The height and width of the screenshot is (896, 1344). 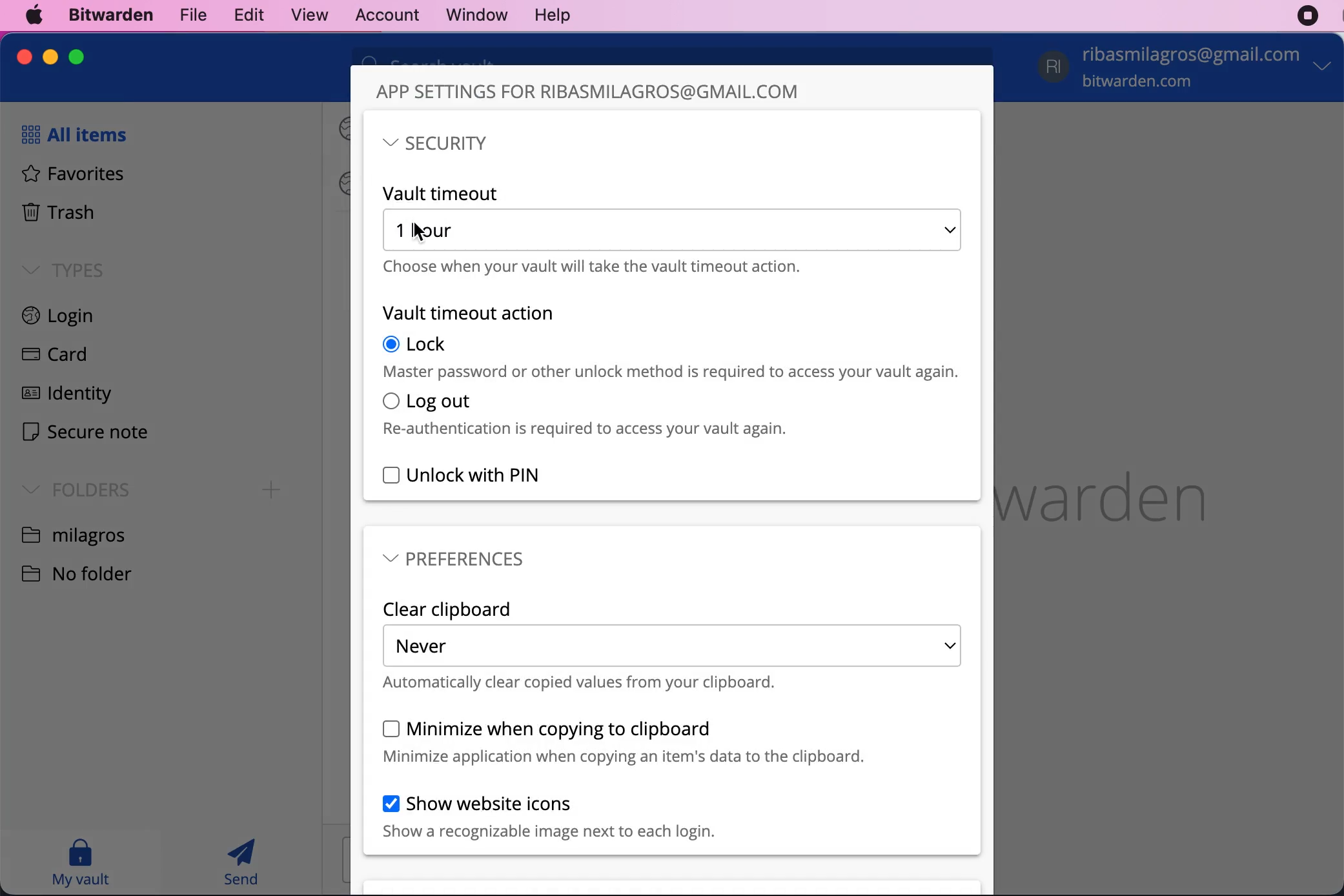 What do you see at coordinates (455, 558) in the screenshot?
I see `preferences` at bounding box center [455, 558].